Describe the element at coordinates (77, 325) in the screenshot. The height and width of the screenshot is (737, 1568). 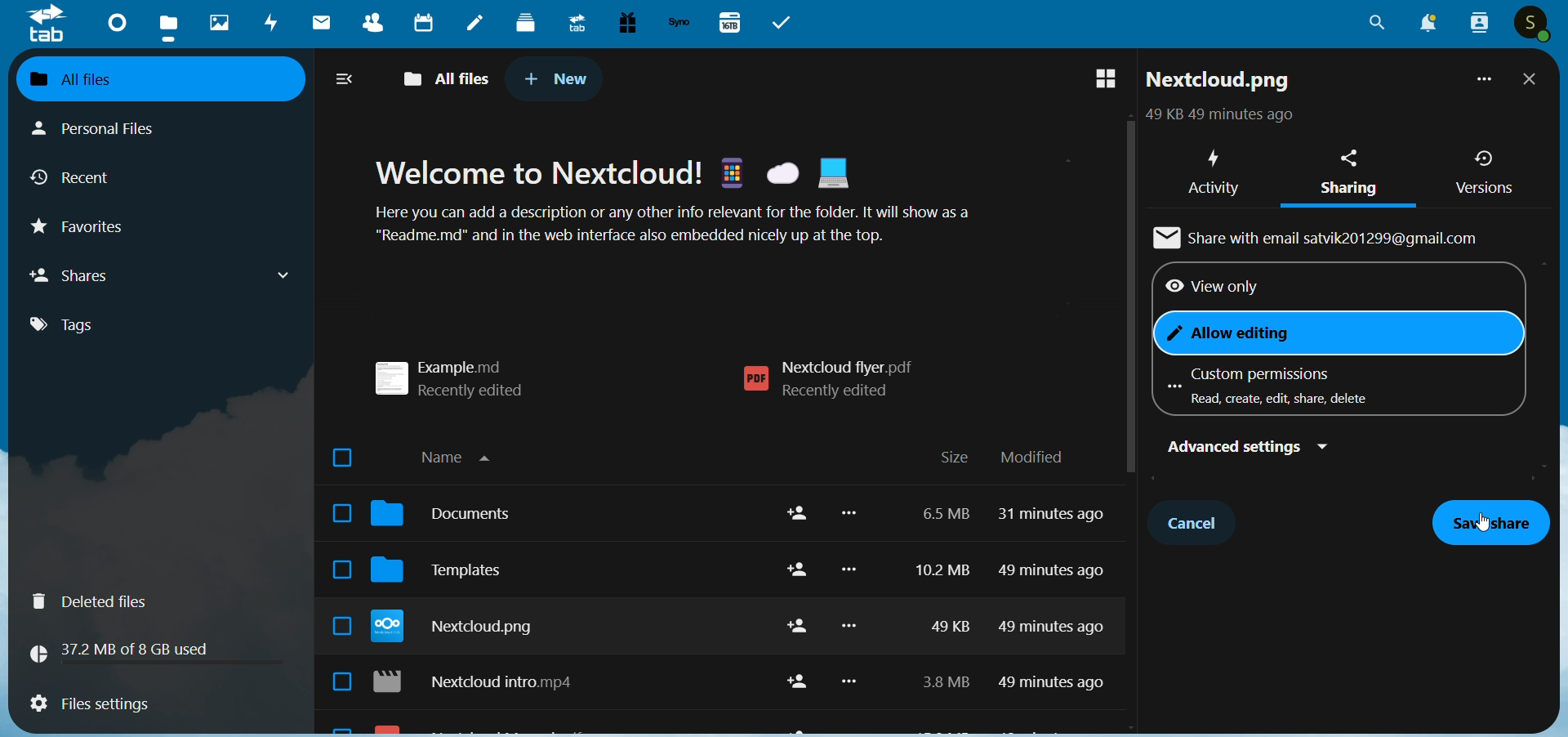
I see `tags` at that location.